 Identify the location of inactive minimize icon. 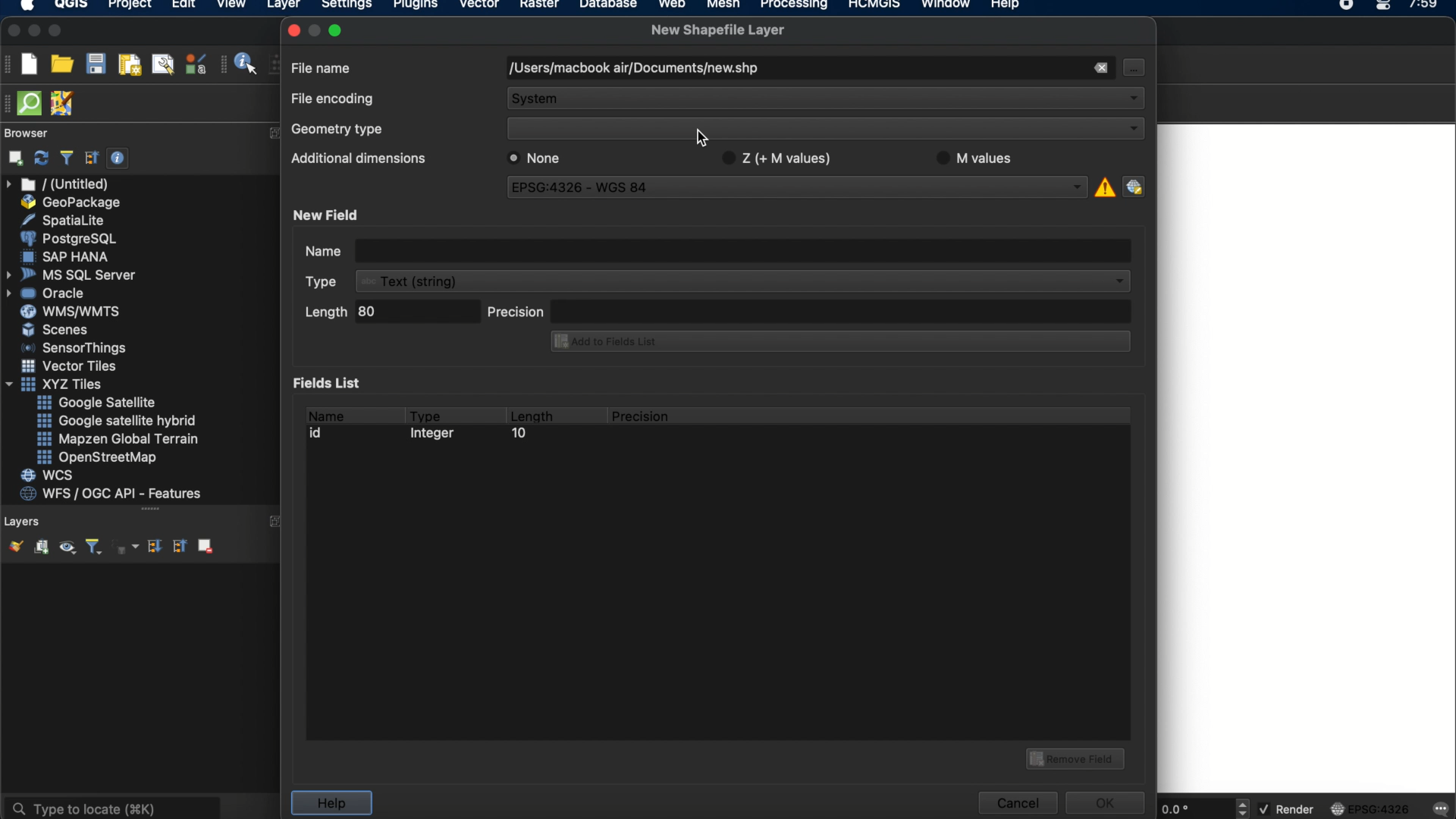
(315, 30).